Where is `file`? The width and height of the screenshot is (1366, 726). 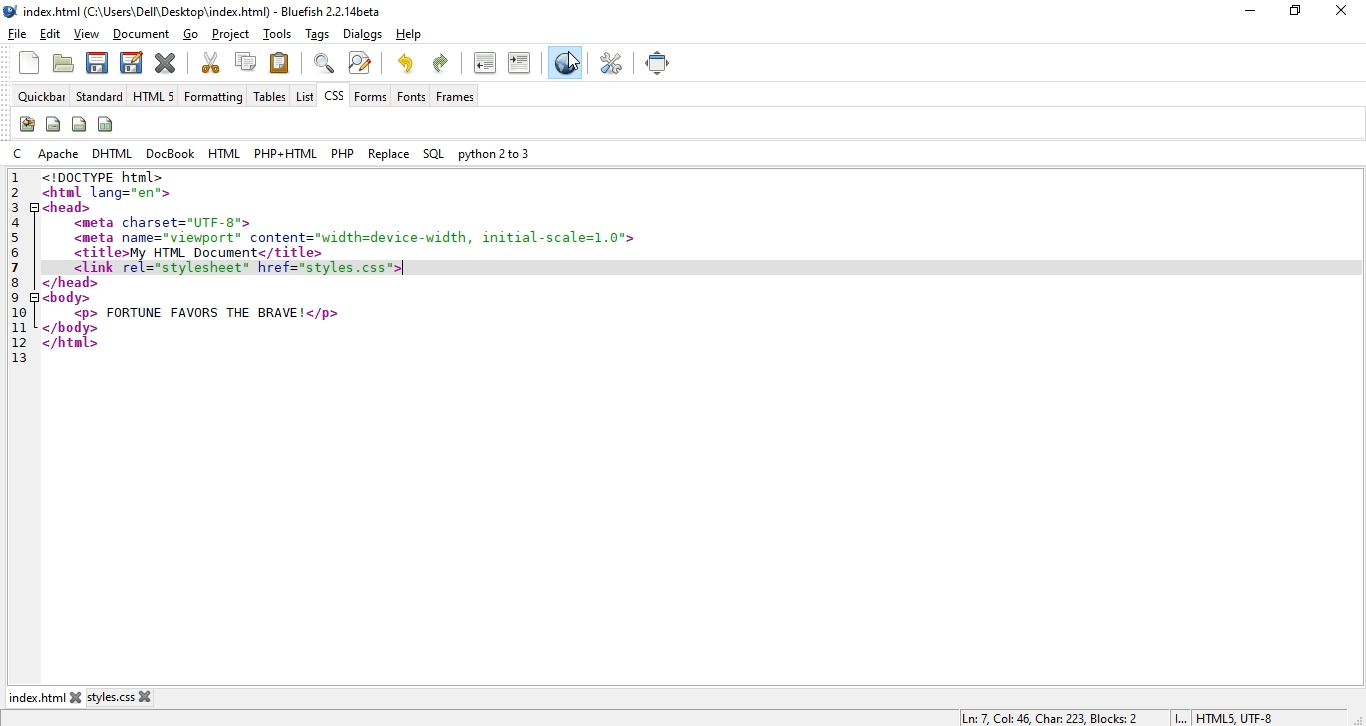 file is located at coordinates (18, 34).